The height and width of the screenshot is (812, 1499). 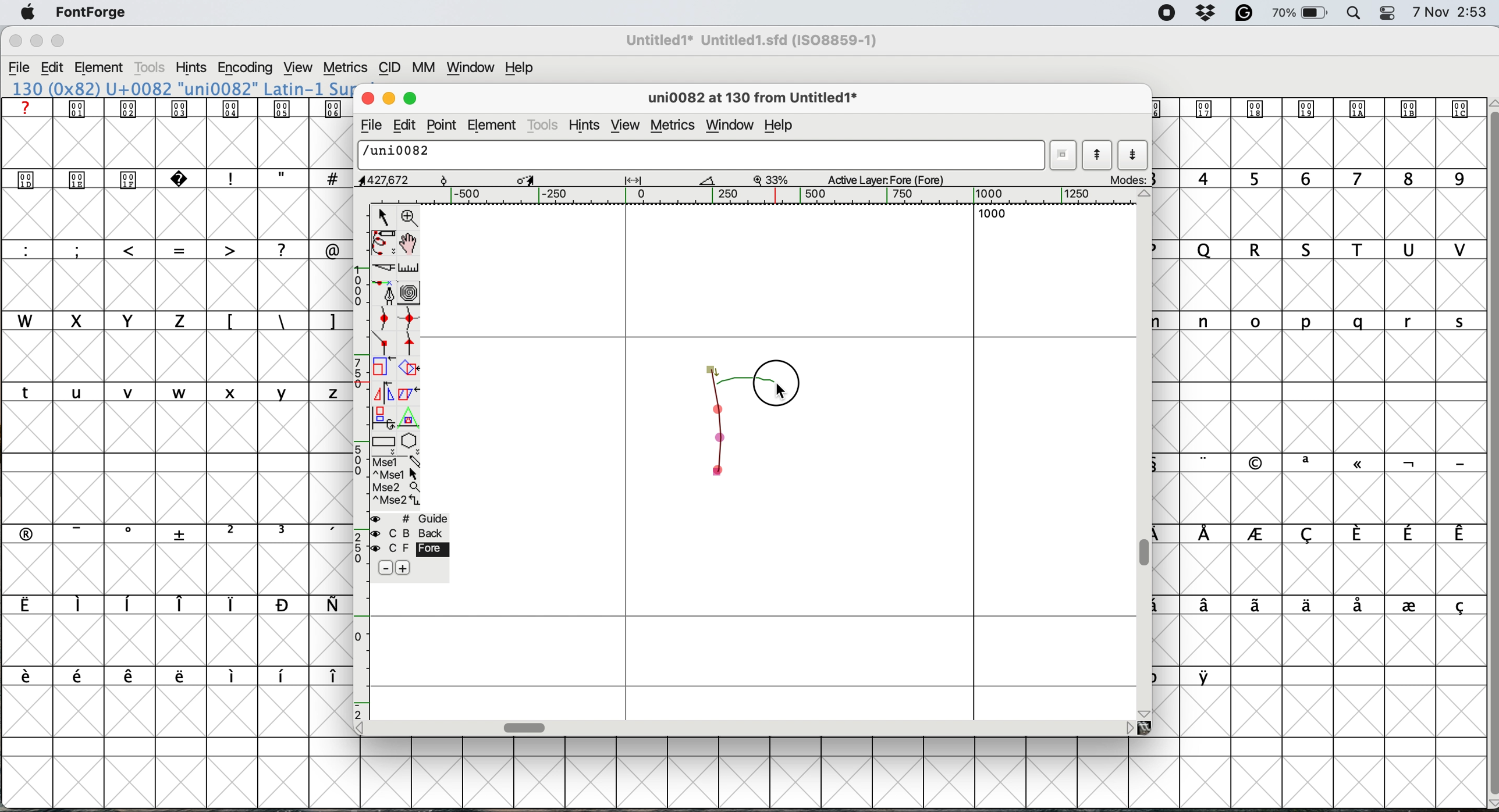 What do you see at coordinates (379, 268) in the screenshot?
I see `cut splines in two` at bounding box center [379, 268].